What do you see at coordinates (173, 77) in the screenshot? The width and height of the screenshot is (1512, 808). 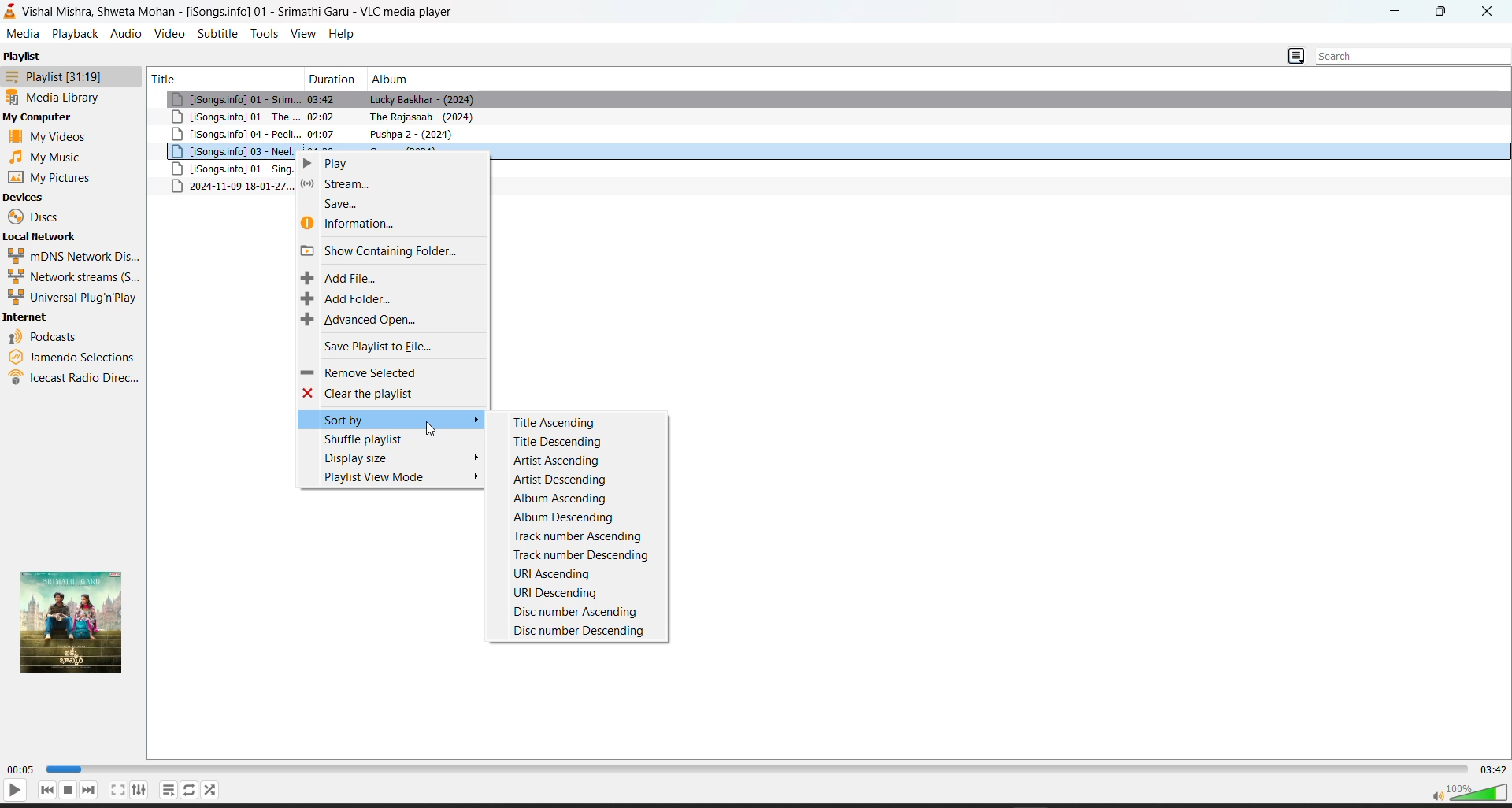 I see `title` at bounding box center [173, 77].